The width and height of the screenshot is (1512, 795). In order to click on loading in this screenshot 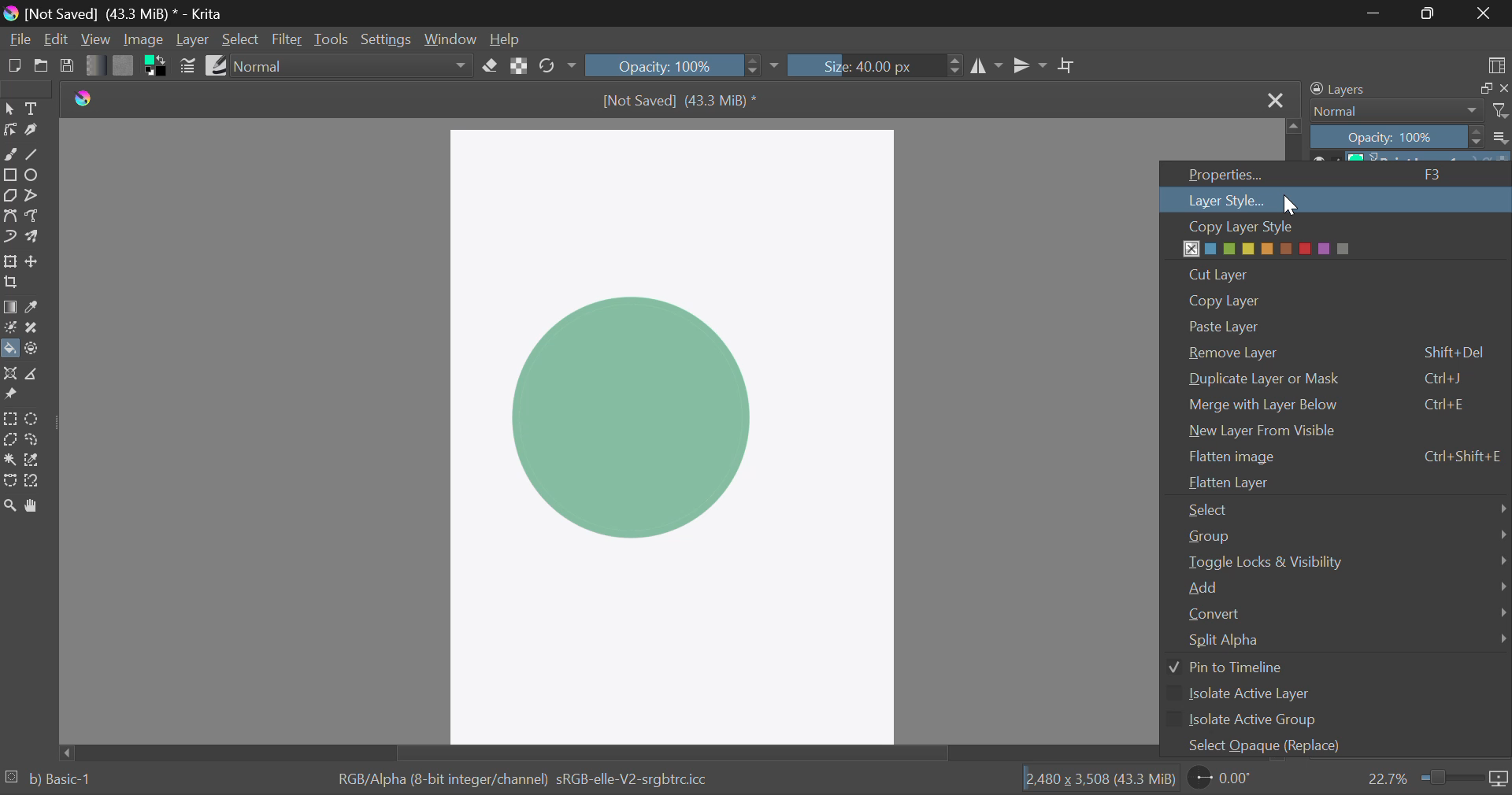, I will do `click(9, 774)`.